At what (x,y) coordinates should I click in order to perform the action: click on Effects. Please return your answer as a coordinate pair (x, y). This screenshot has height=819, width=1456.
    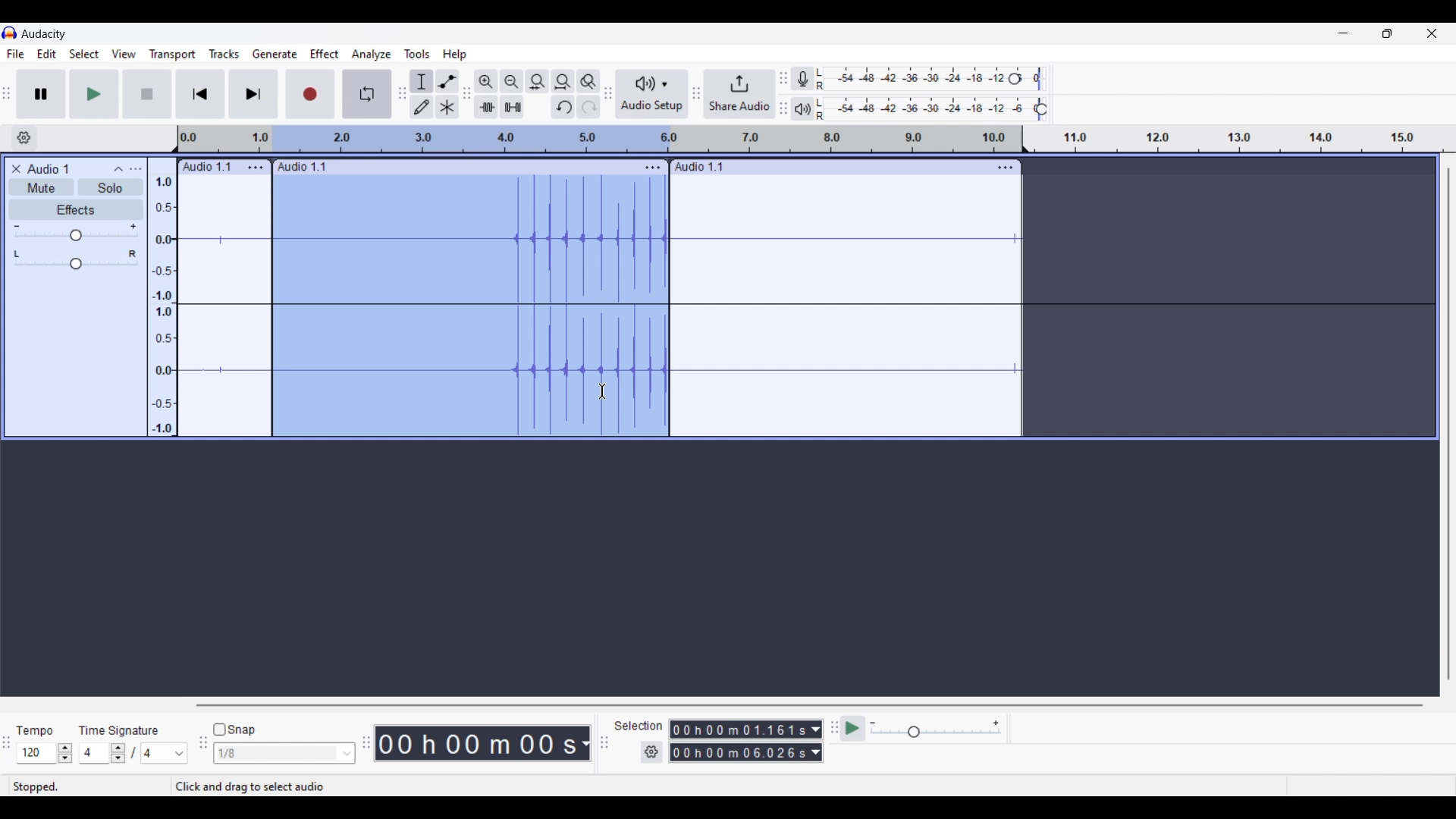
    Looking at the image, I should click on (76, 209).